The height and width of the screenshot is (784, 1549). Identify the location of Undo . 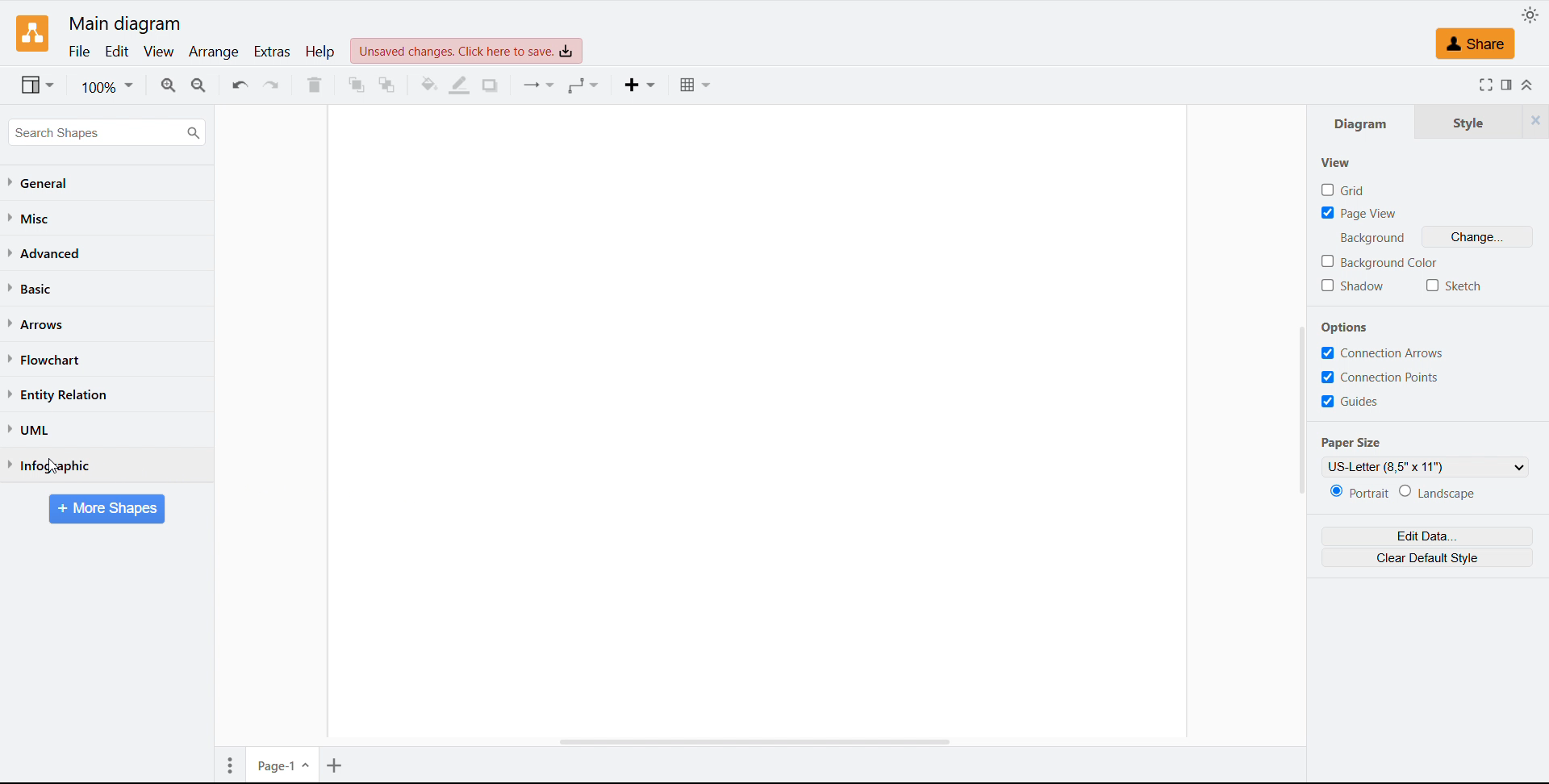
(239, 86).